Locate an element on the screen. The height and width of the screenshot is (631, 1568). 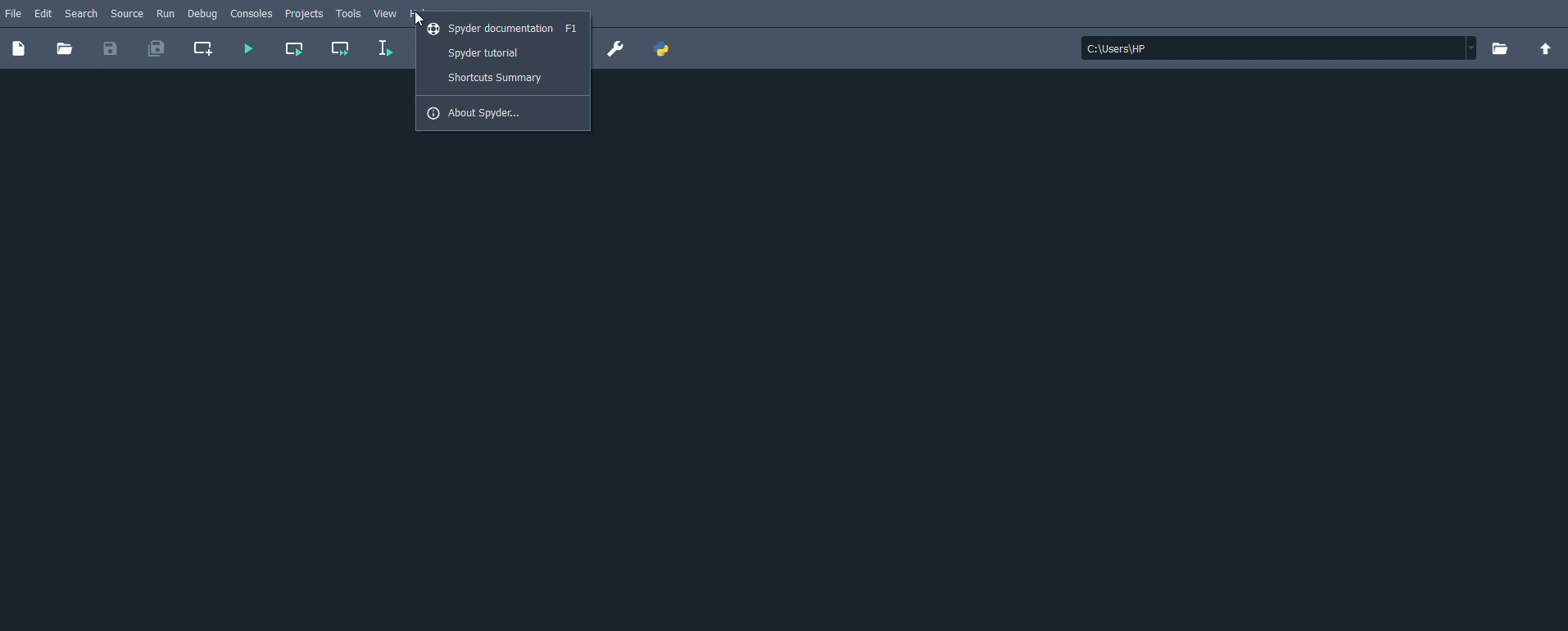
Run selection or current line is located at coordinates (386, 48).